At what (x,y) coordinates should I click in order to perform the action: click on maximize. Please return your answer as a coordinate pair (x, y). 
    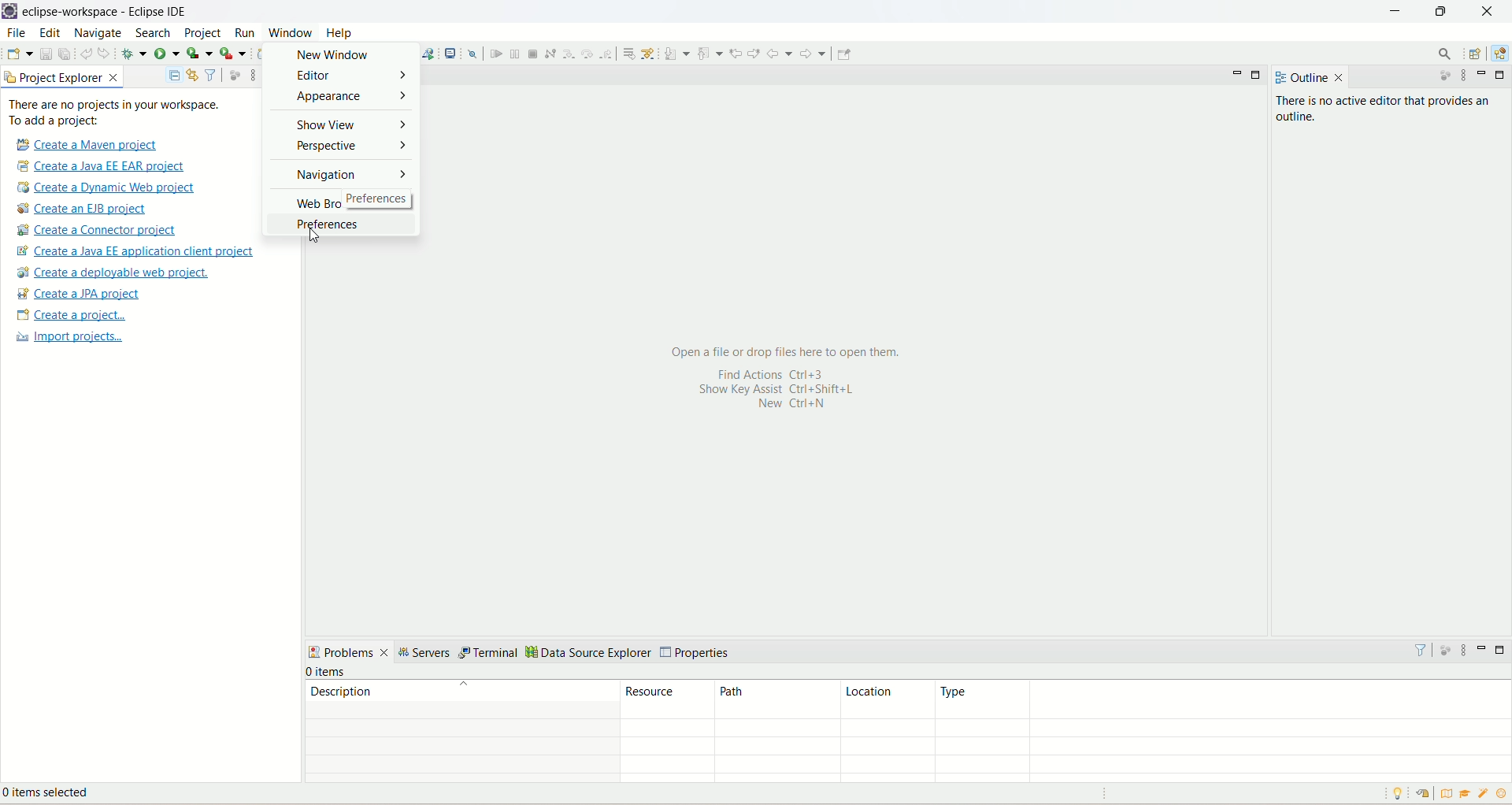
    Looking at the image, I should click on (1259, 76).